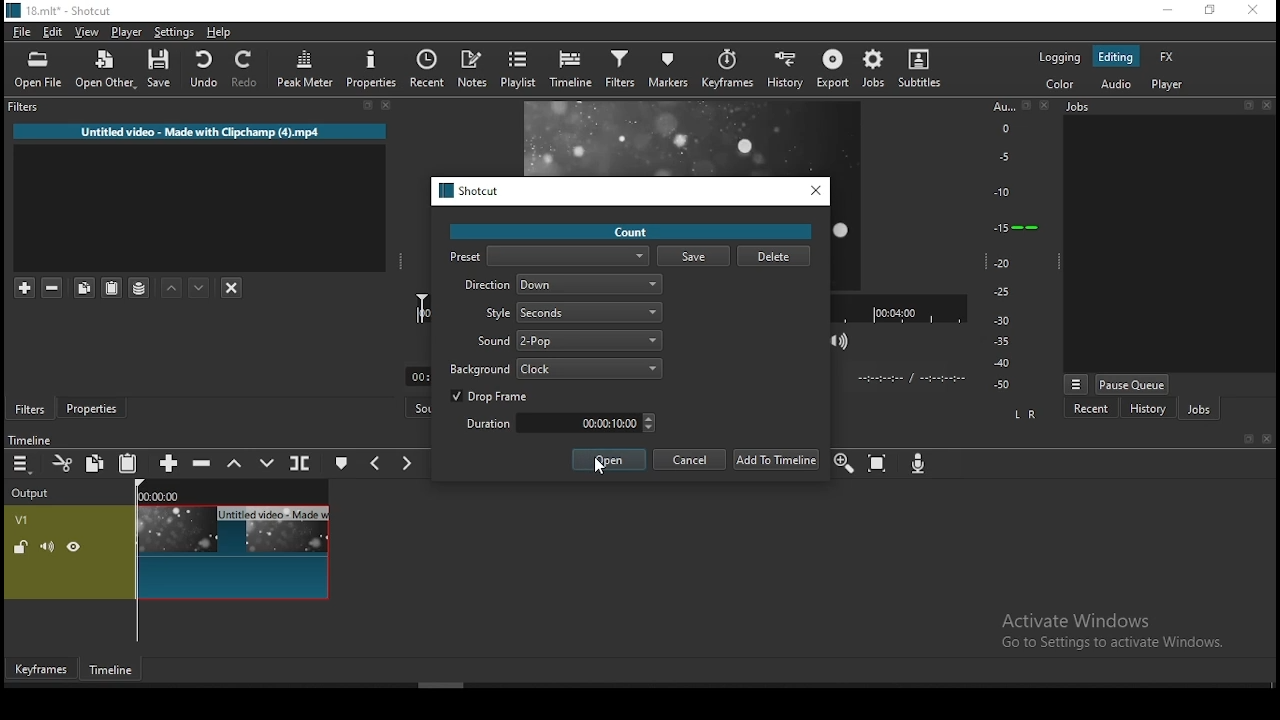 Image resolution: width=1280 pixels, height=720 pixels. Describe the element at coordinates (694, 256) in the screenshot. I see `save` at that location.